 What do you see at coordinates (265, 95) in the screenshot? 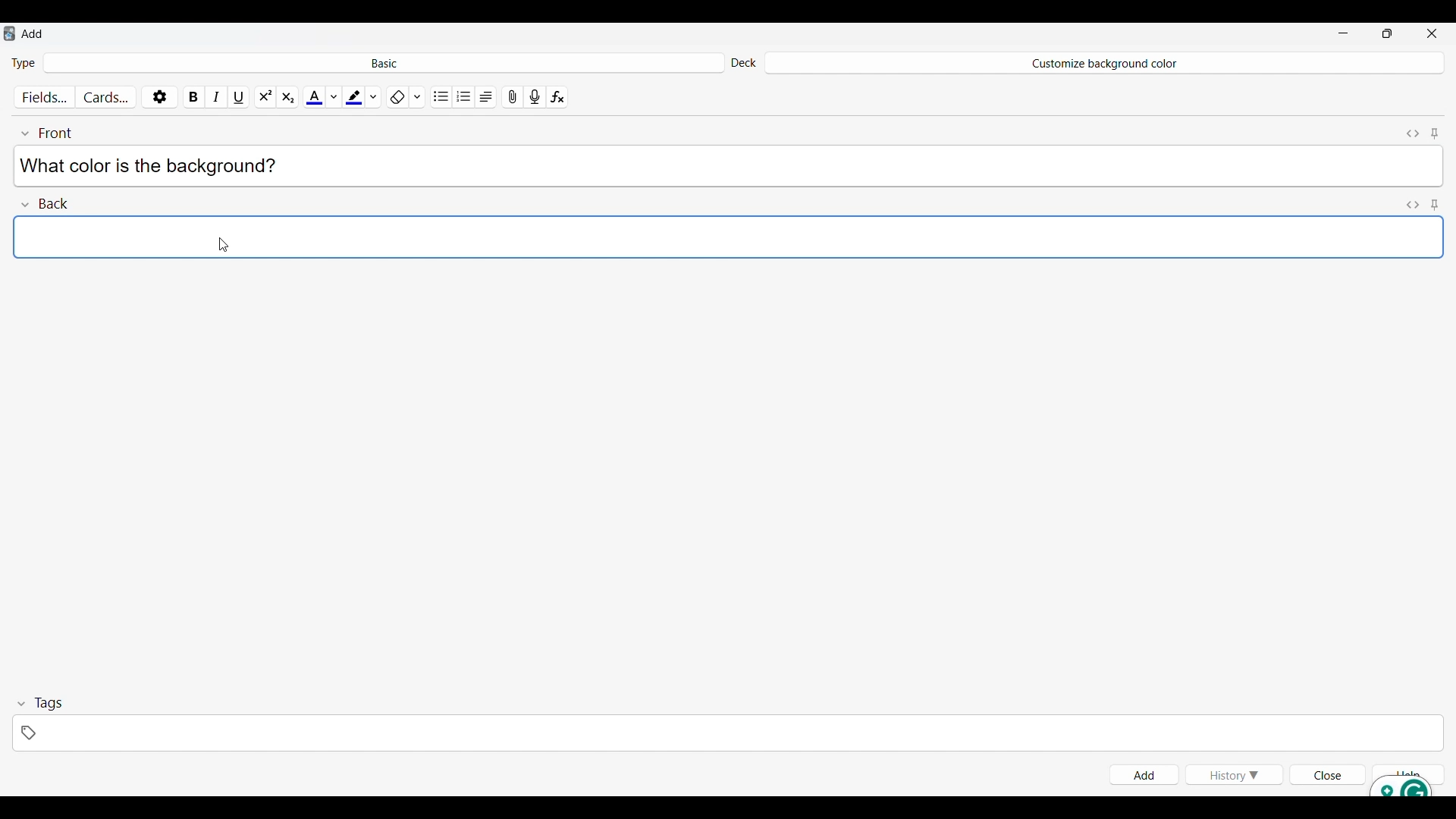
I see `Super script` at bounding box center [265, 95].